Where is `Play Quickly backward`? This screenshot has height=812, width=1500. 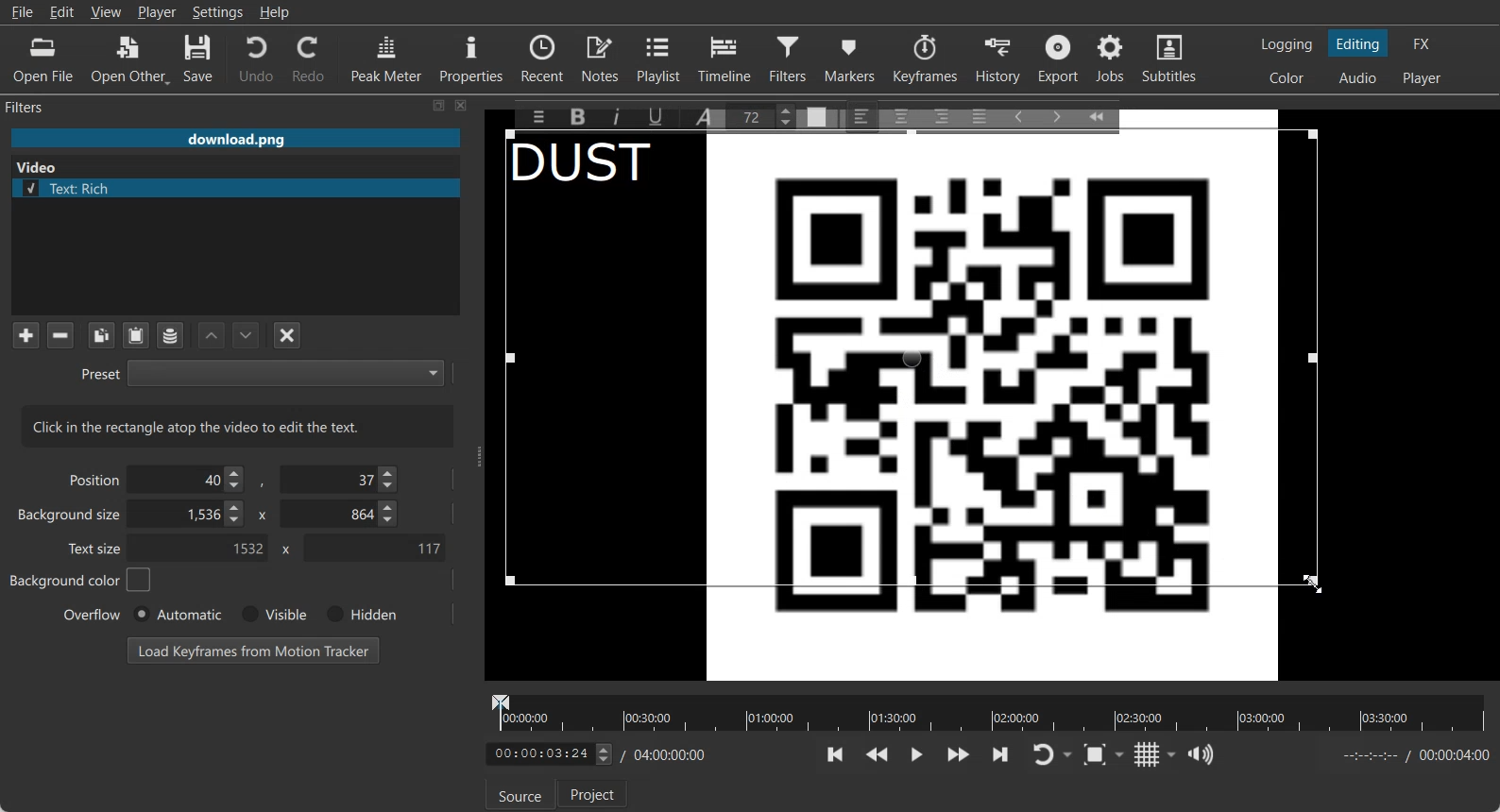
Play Quickly backward is located at coordinates (878, 754).